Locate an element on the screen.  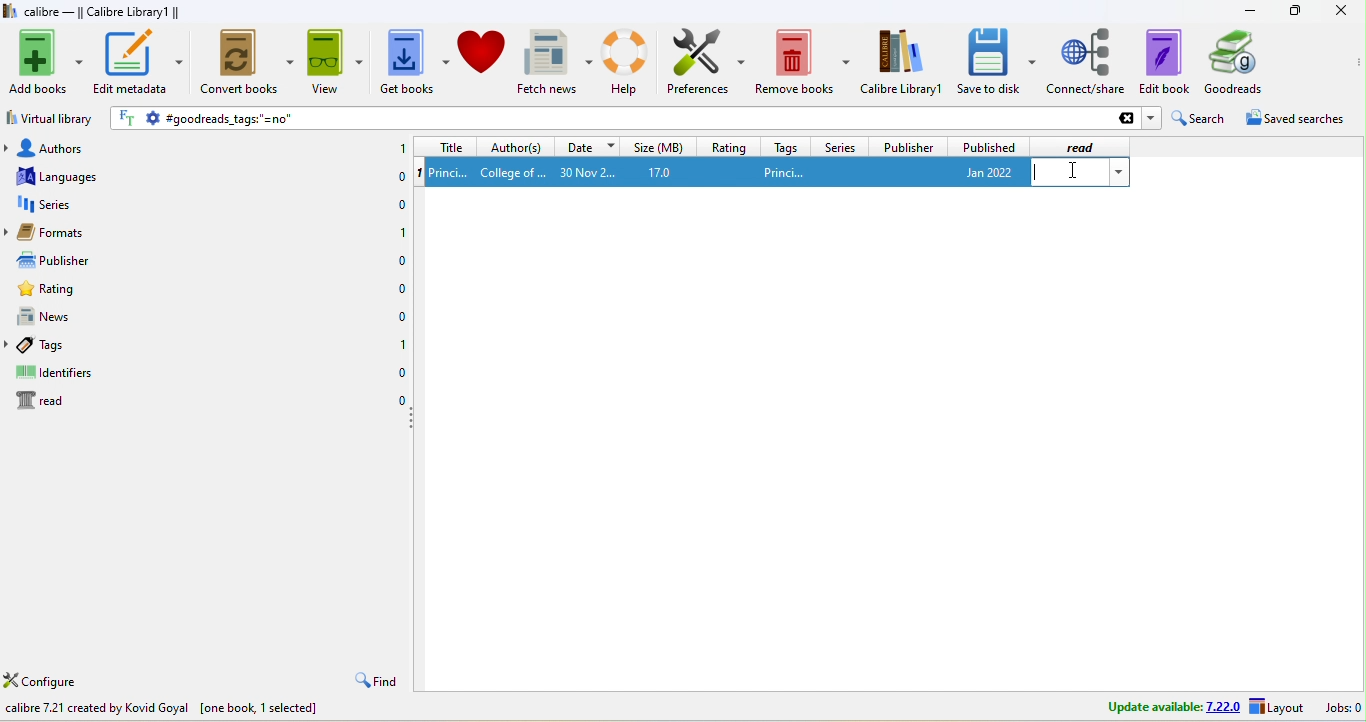
1 is located at coordinates (400, 343).